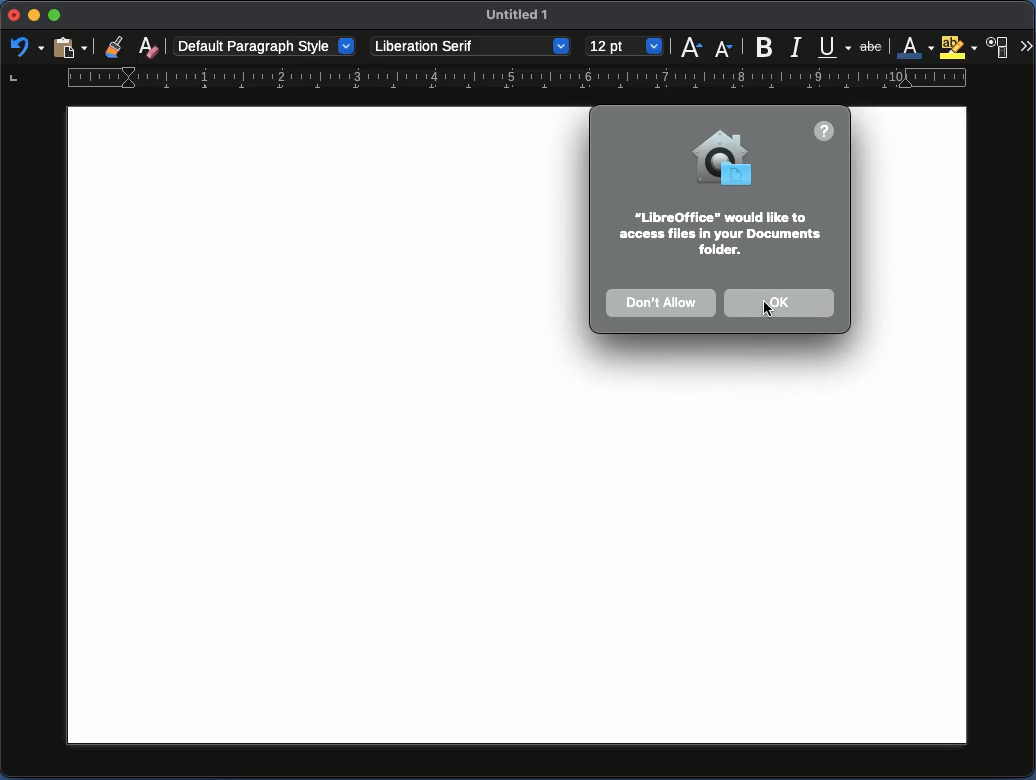  What do you see at coordinates (723, 234) in the screenshot?
I see `Instruction / permission request` at bounding box center [723, 234].